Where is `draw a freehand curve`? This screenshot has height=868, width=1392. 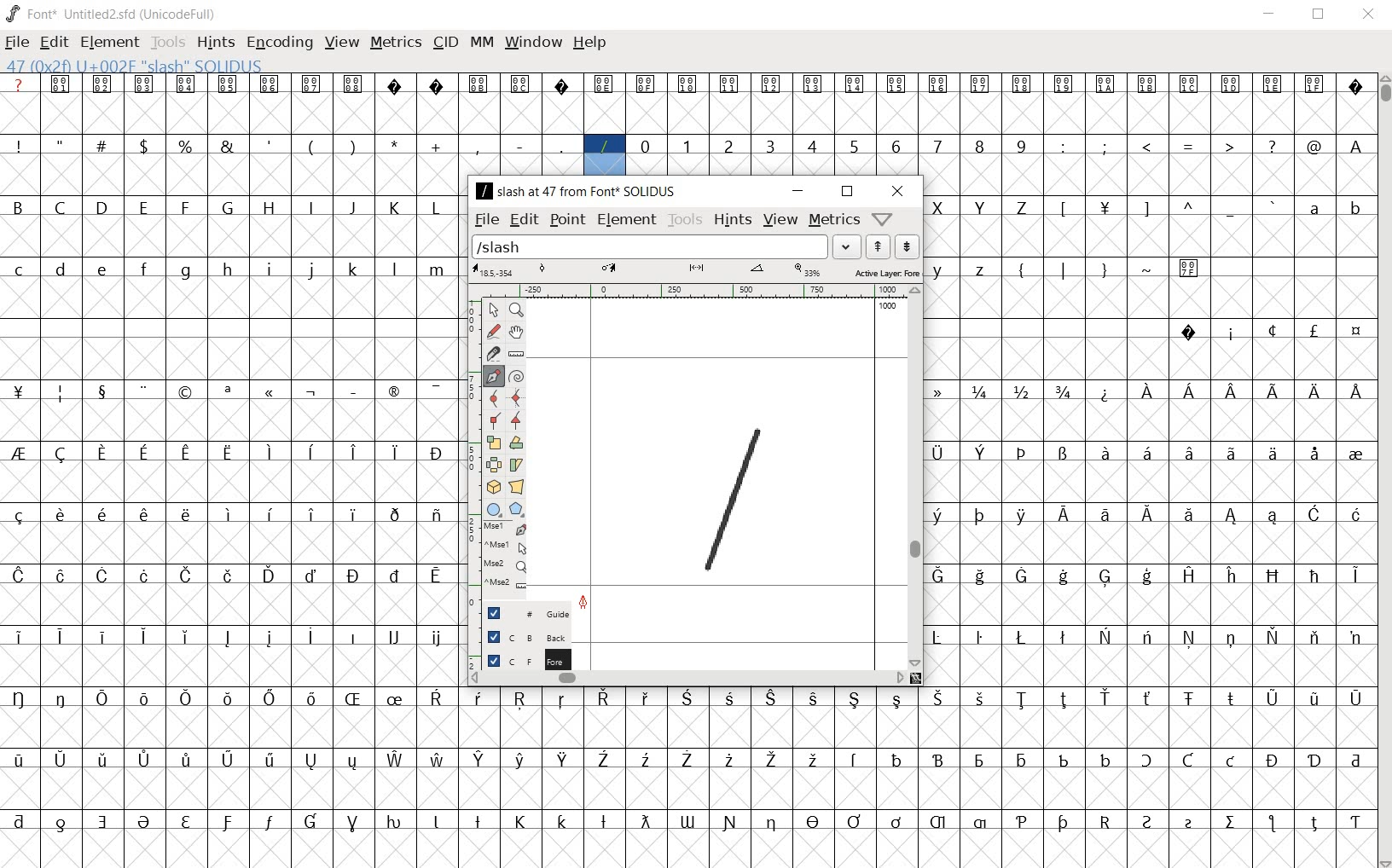 draw a freehand curve is located at coordinates (496, 333).